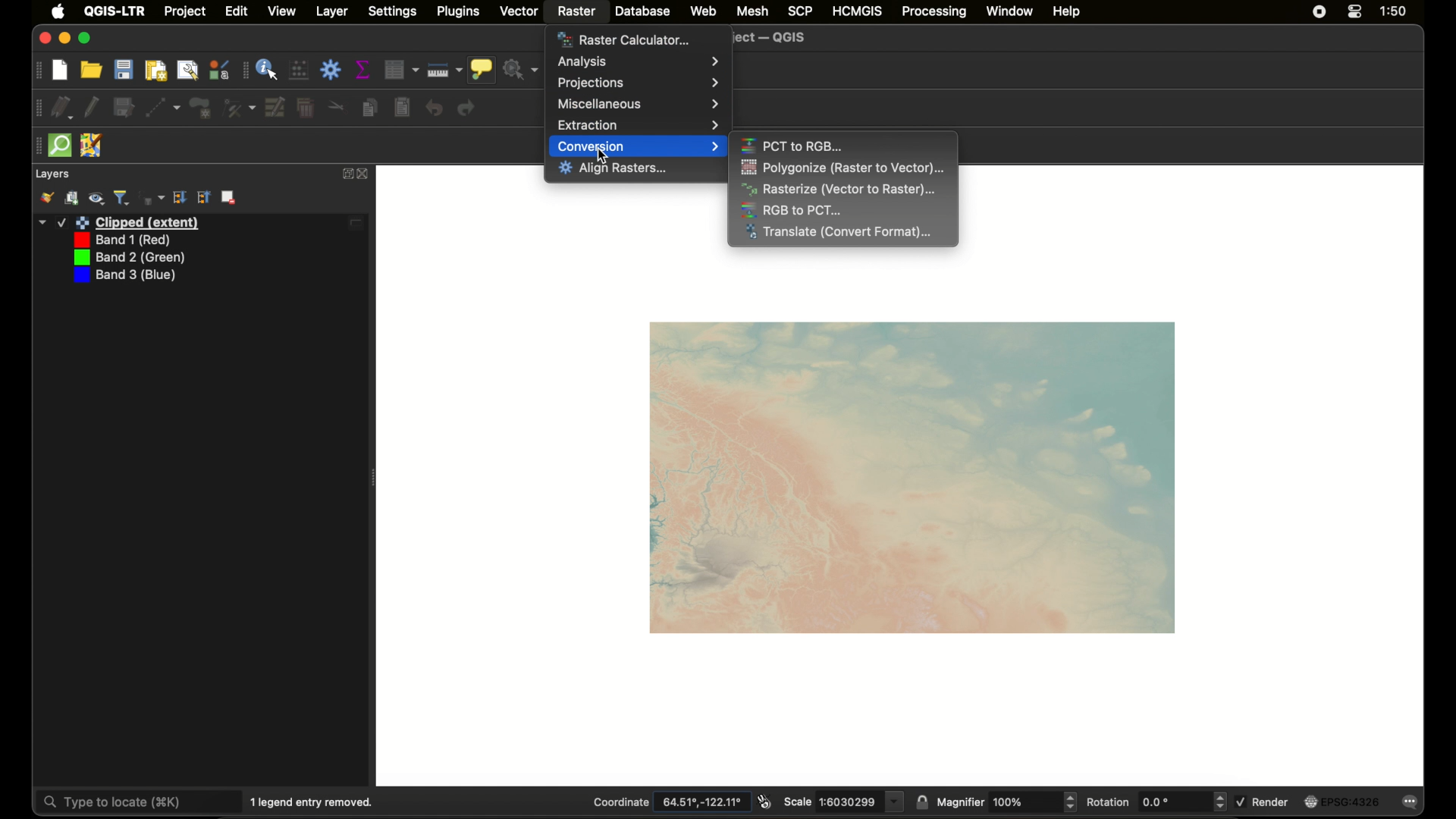  I want to click on messages, so click(1410, 802).